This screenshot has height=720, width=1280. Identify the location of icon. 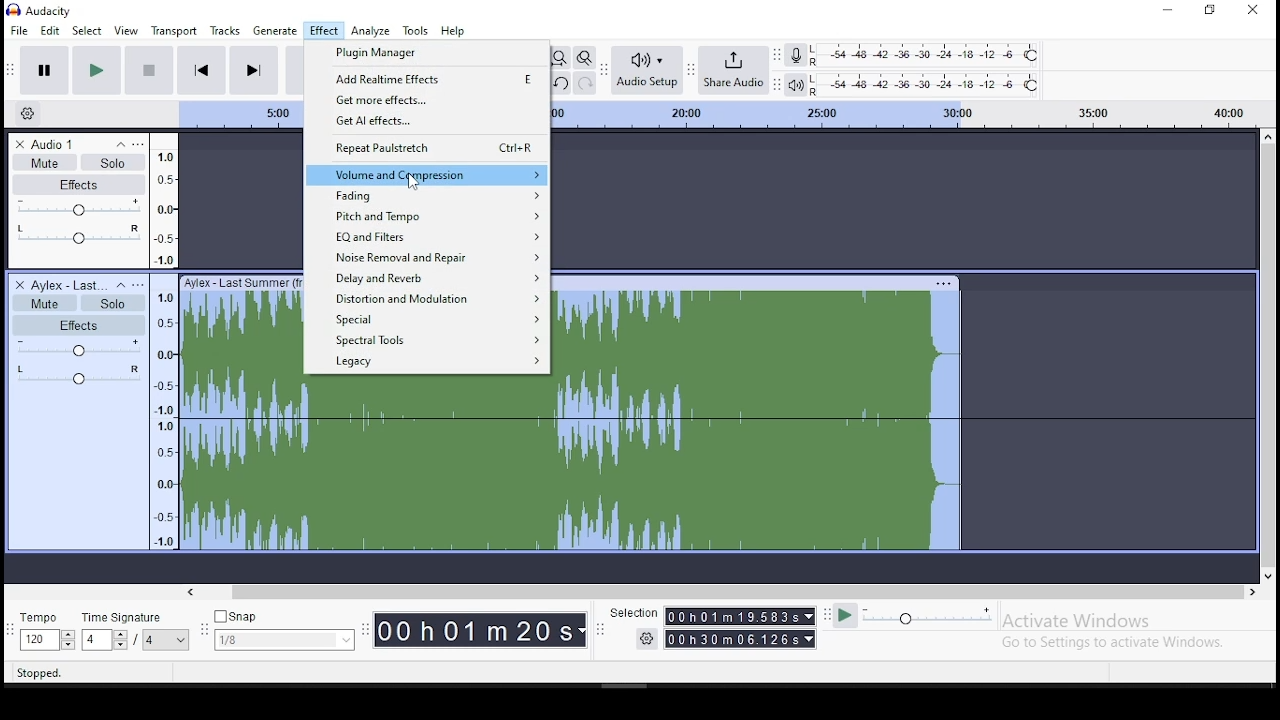
(44, 11).